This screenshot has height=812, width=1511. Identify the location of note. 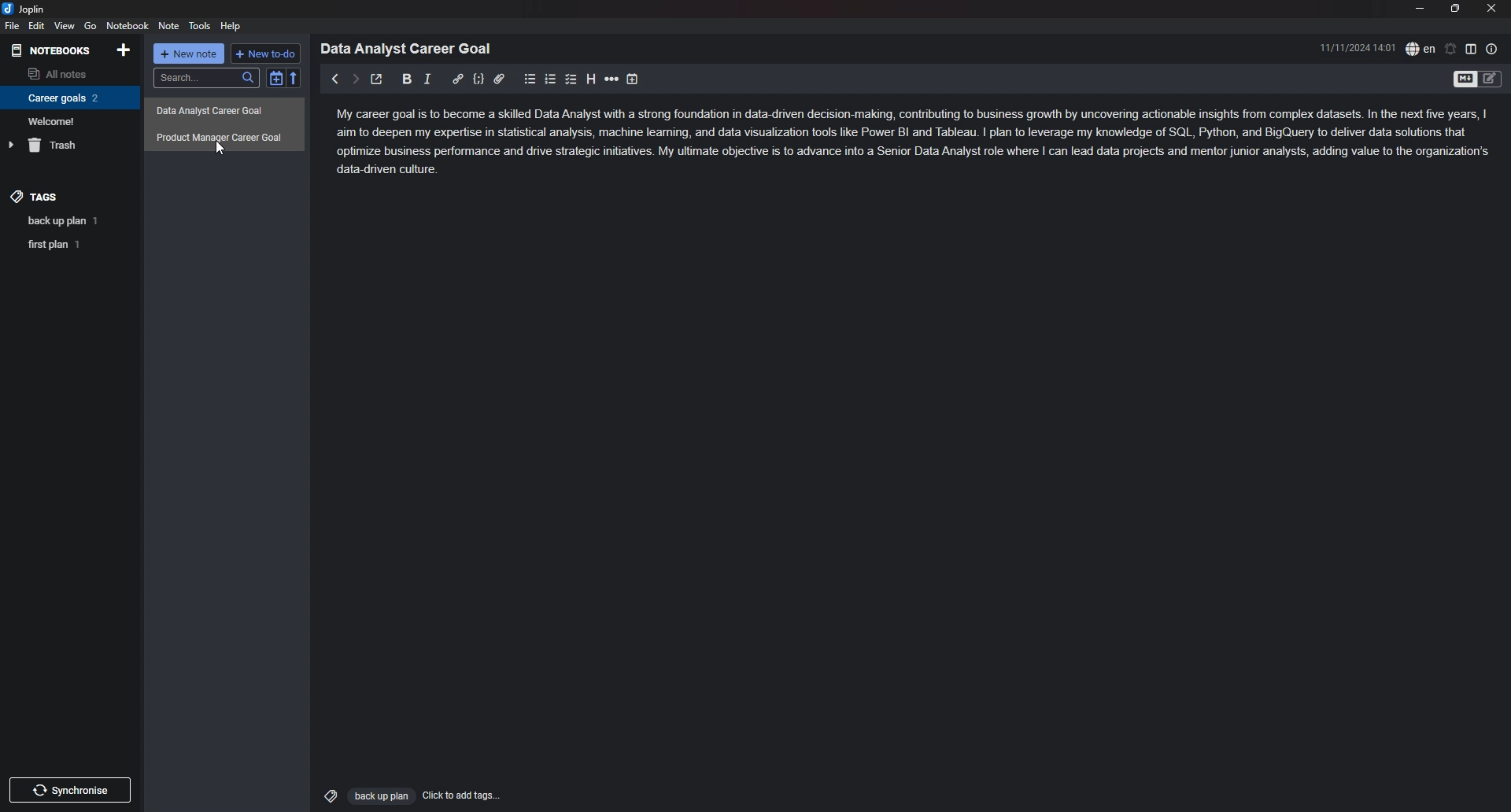
(170, 25).